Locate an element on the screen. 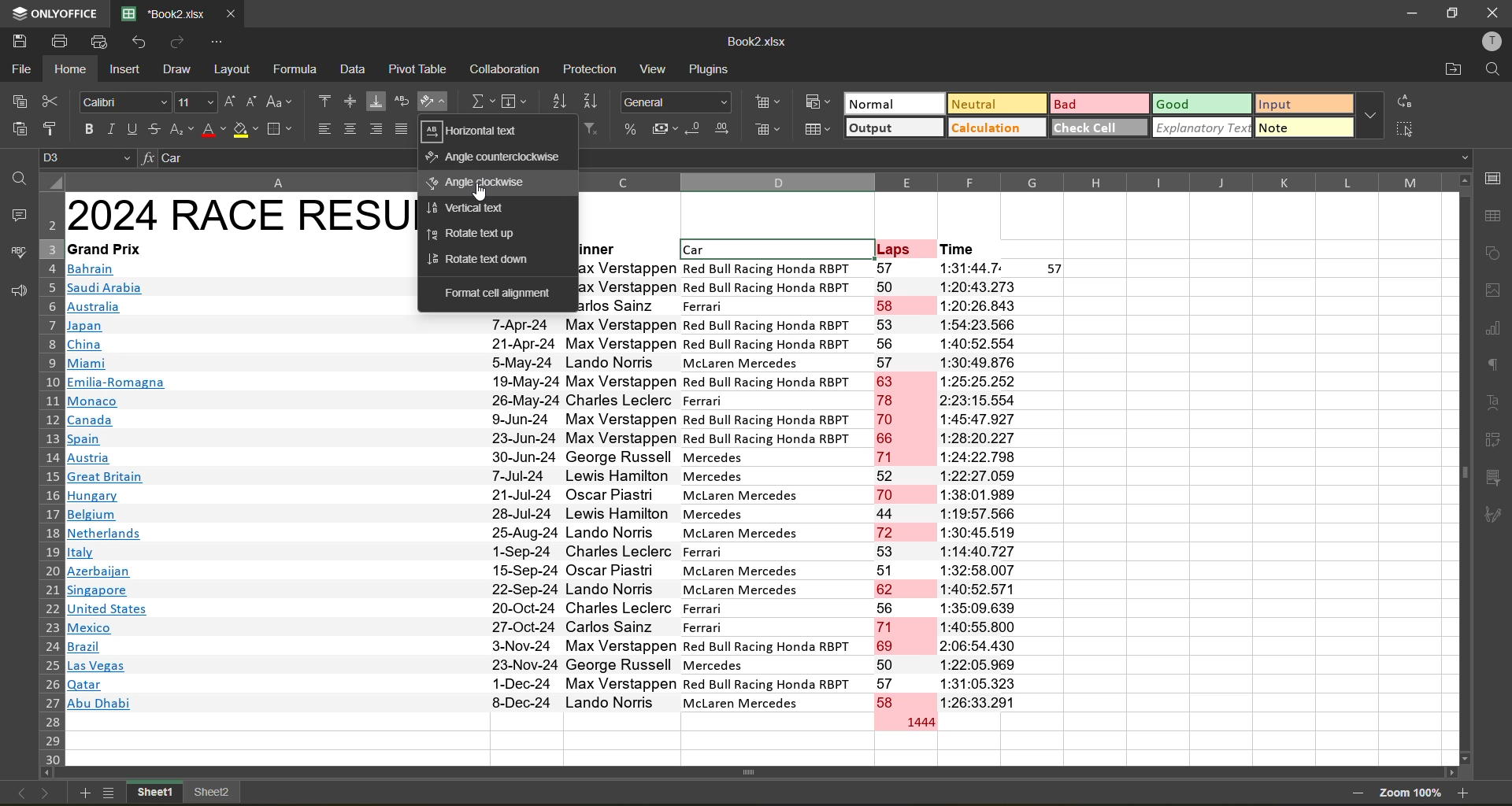 This screenshot has width=1512, height=806. horizontal text is located at coordinates (478, 131).